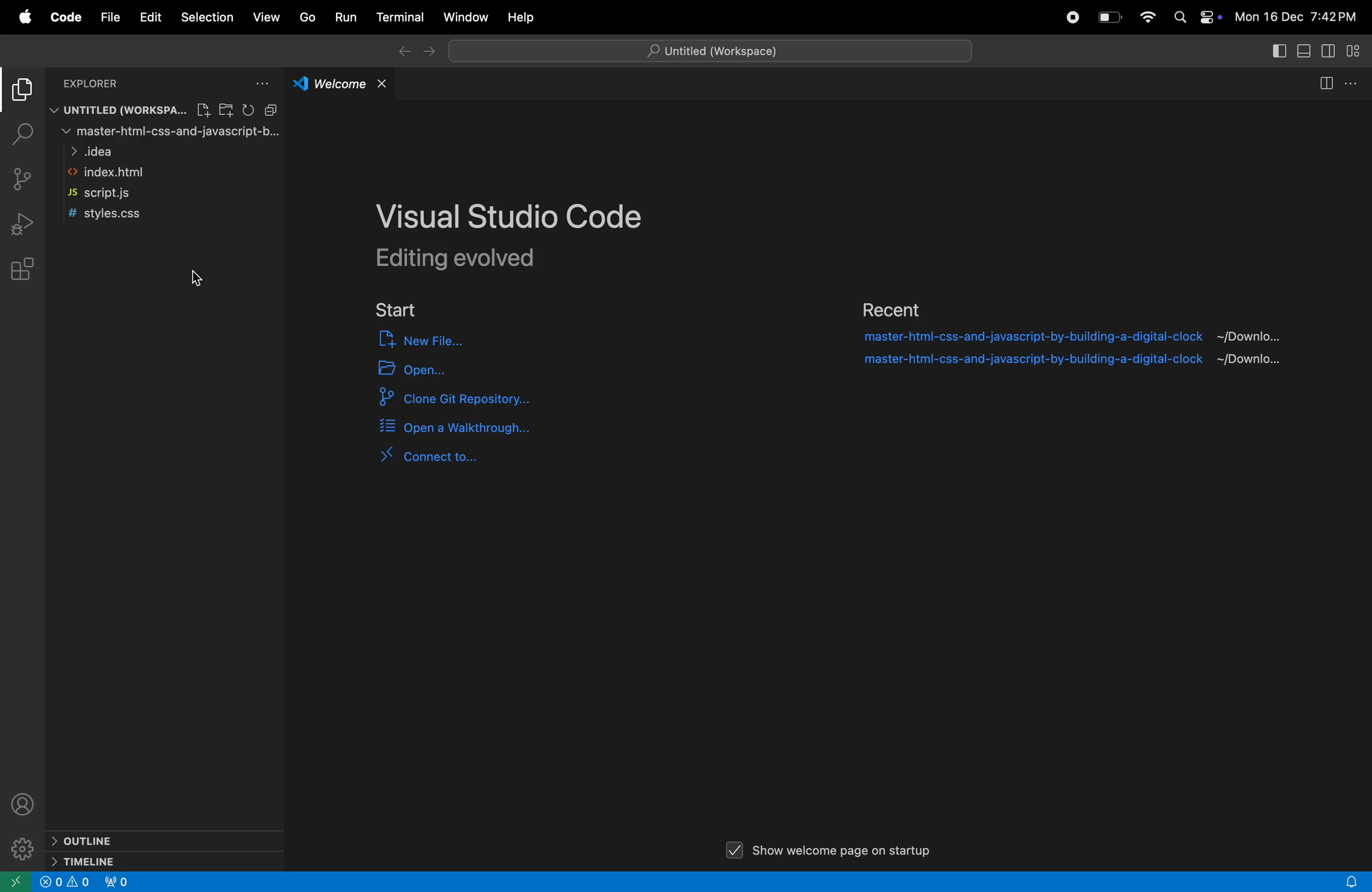 Image resolution: width=1372 pixels, height=892 pixels. What do you see at coordinates (248, 109) in the screenshot?
I see `refresh` at bounding box center [248, 109].